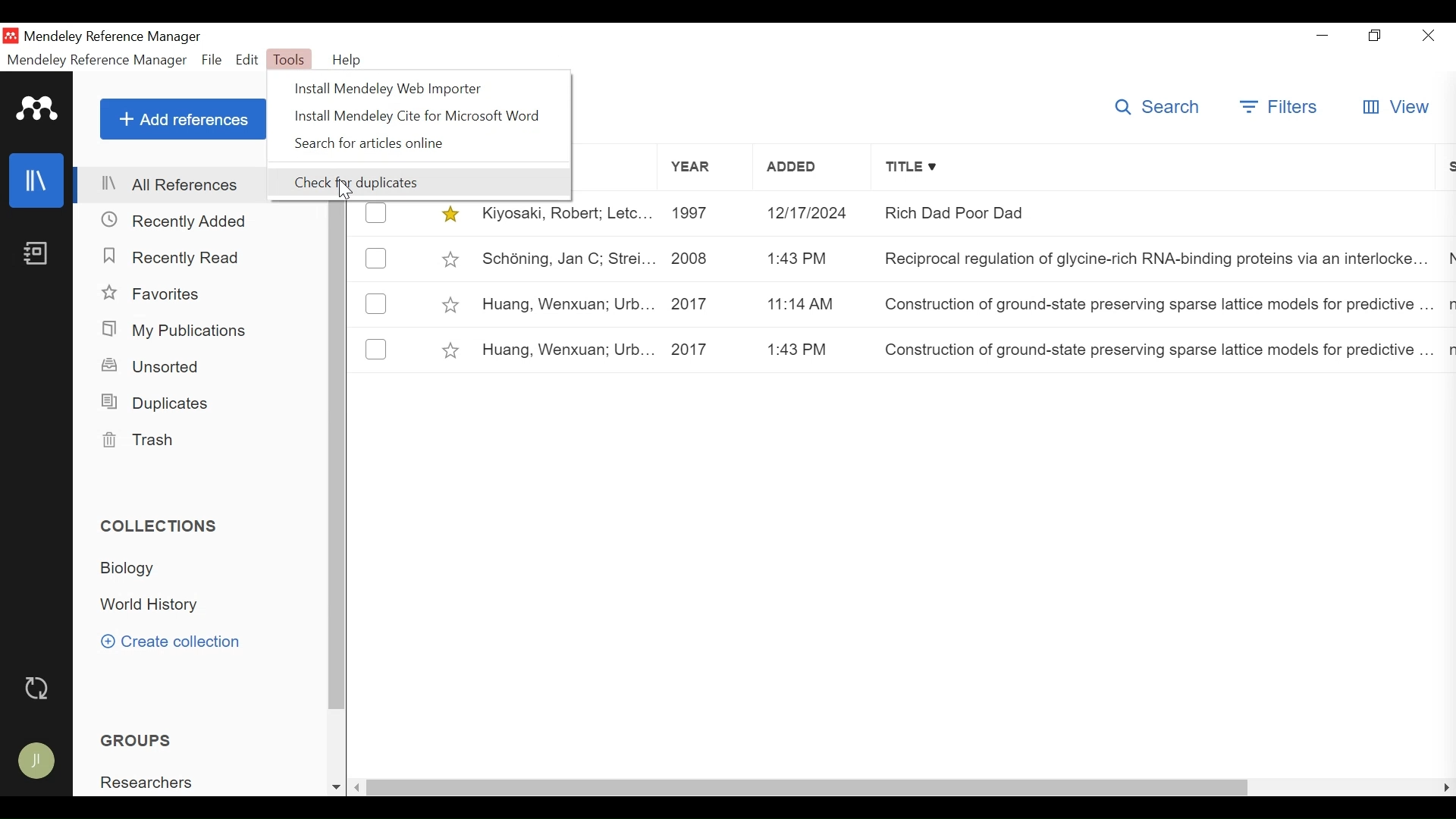 This screenshot has height=819, width=1456. I want to click on Title, so click(1150, 167).